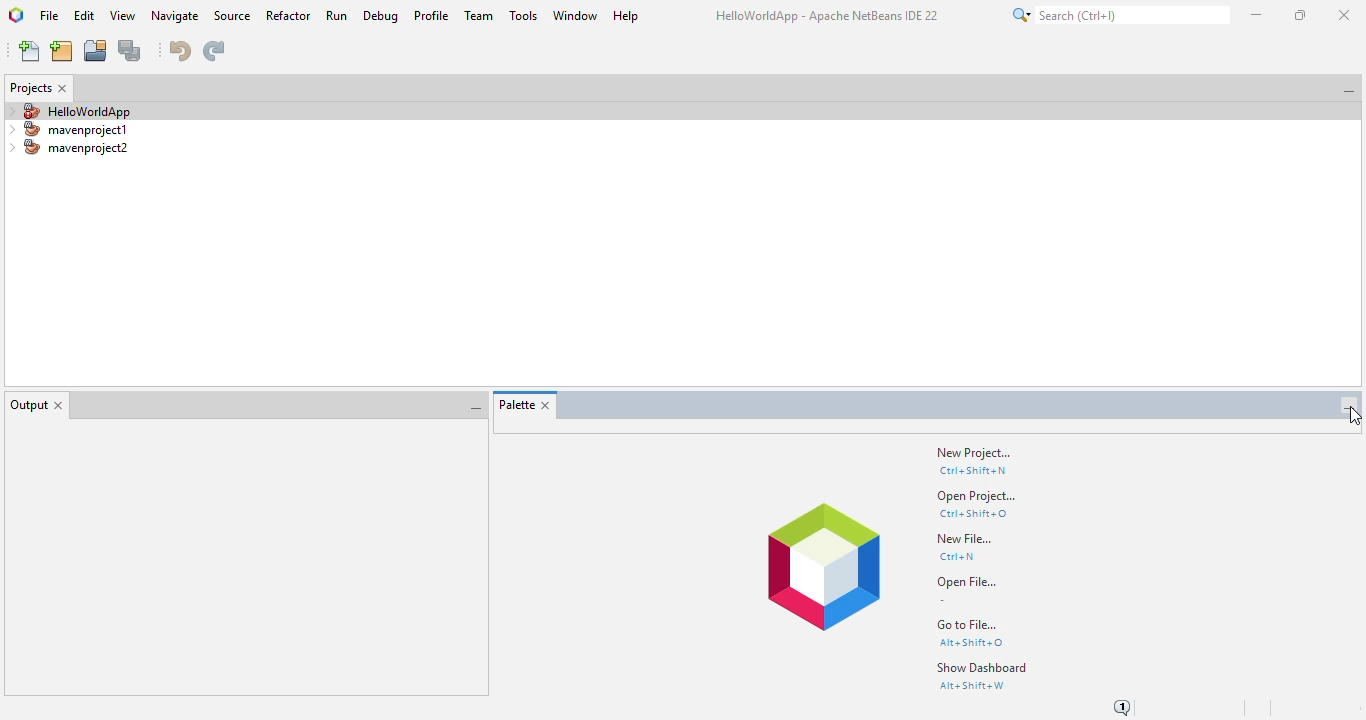  I want to click on output, so click(28, 405).